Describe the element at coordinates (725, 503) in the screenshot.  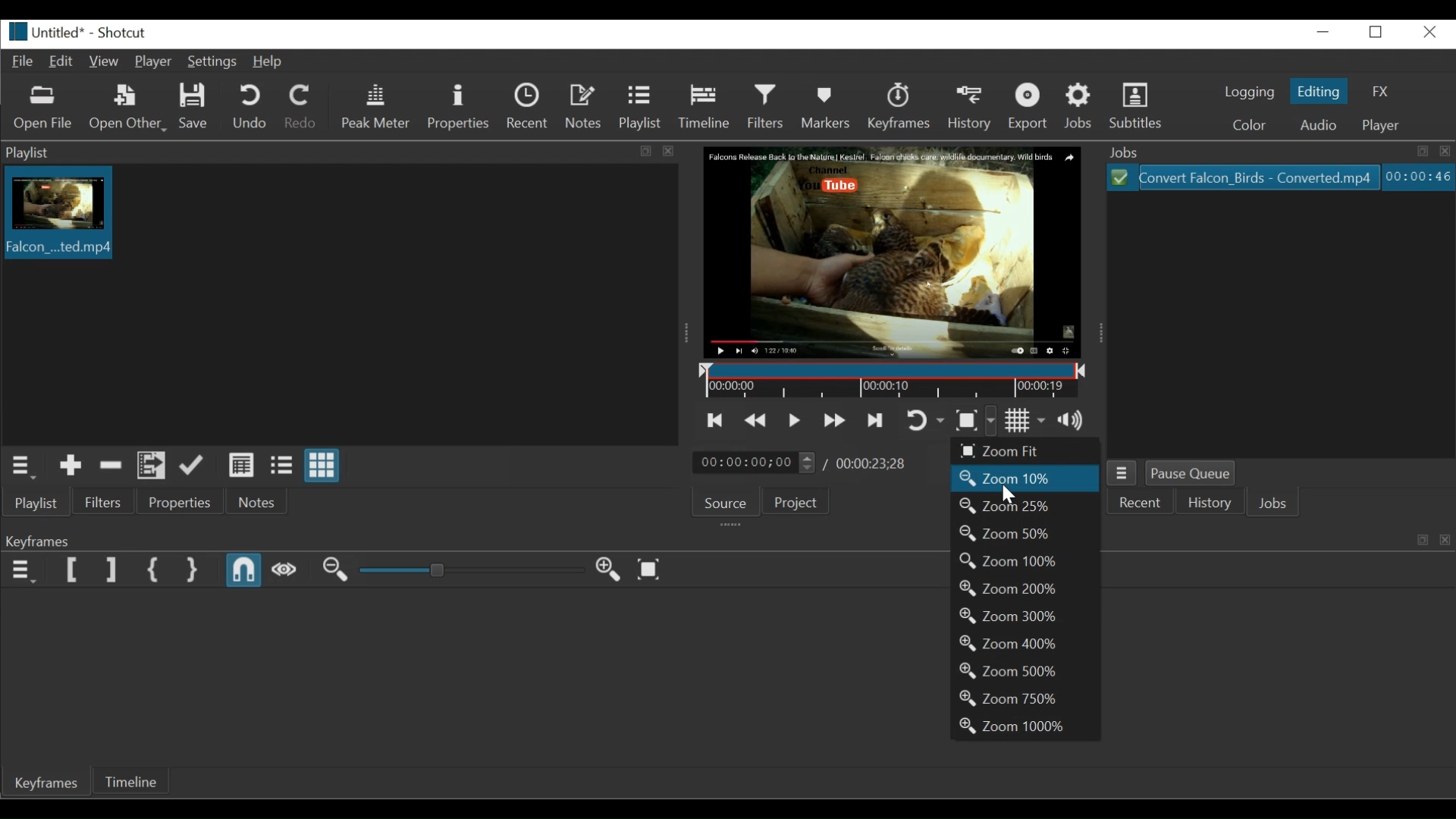
I see `Source` at that location.